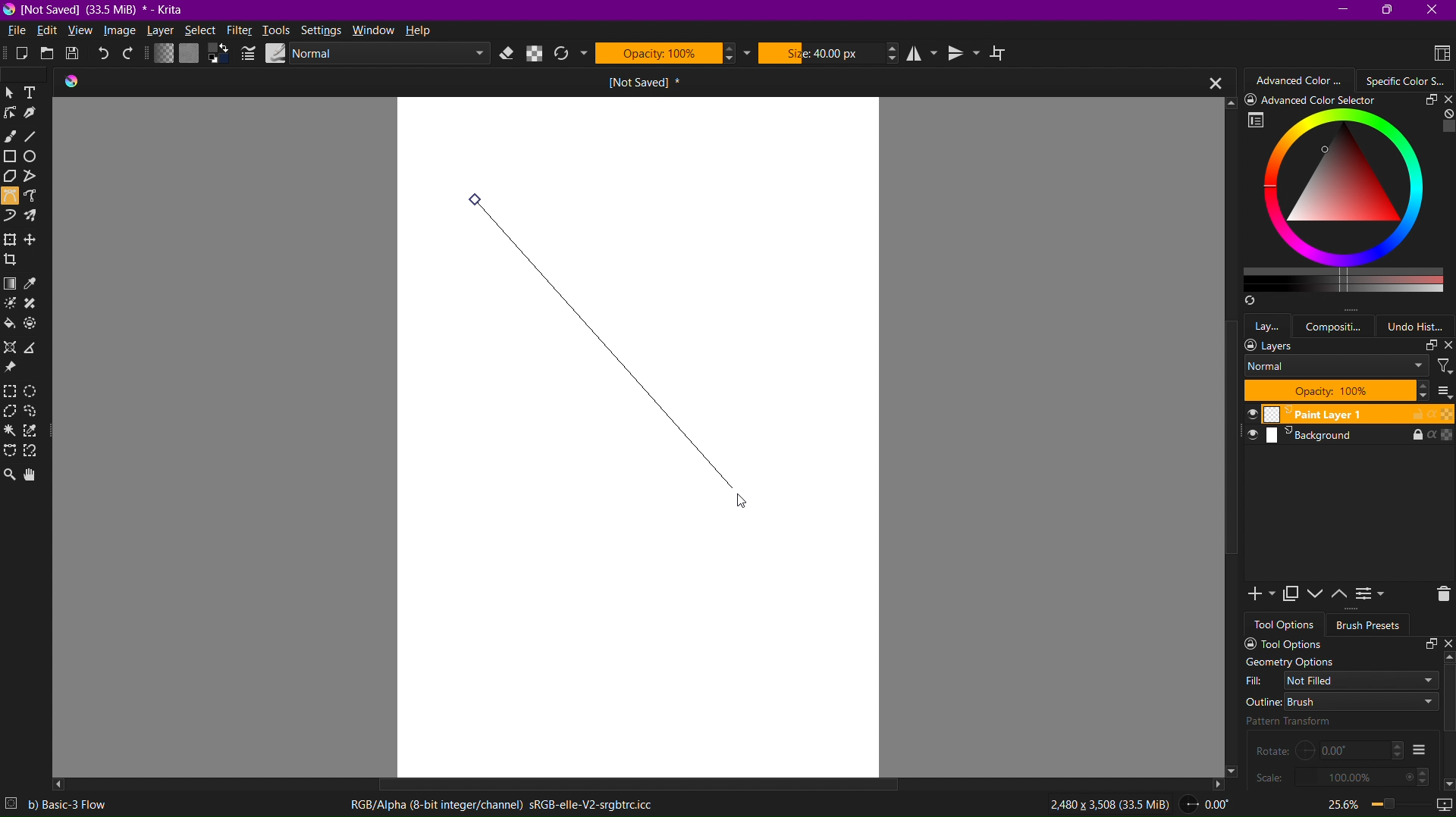  Describe the element at coordinates (1341, 9) in the screenshot. I see `Minimize` at that location.